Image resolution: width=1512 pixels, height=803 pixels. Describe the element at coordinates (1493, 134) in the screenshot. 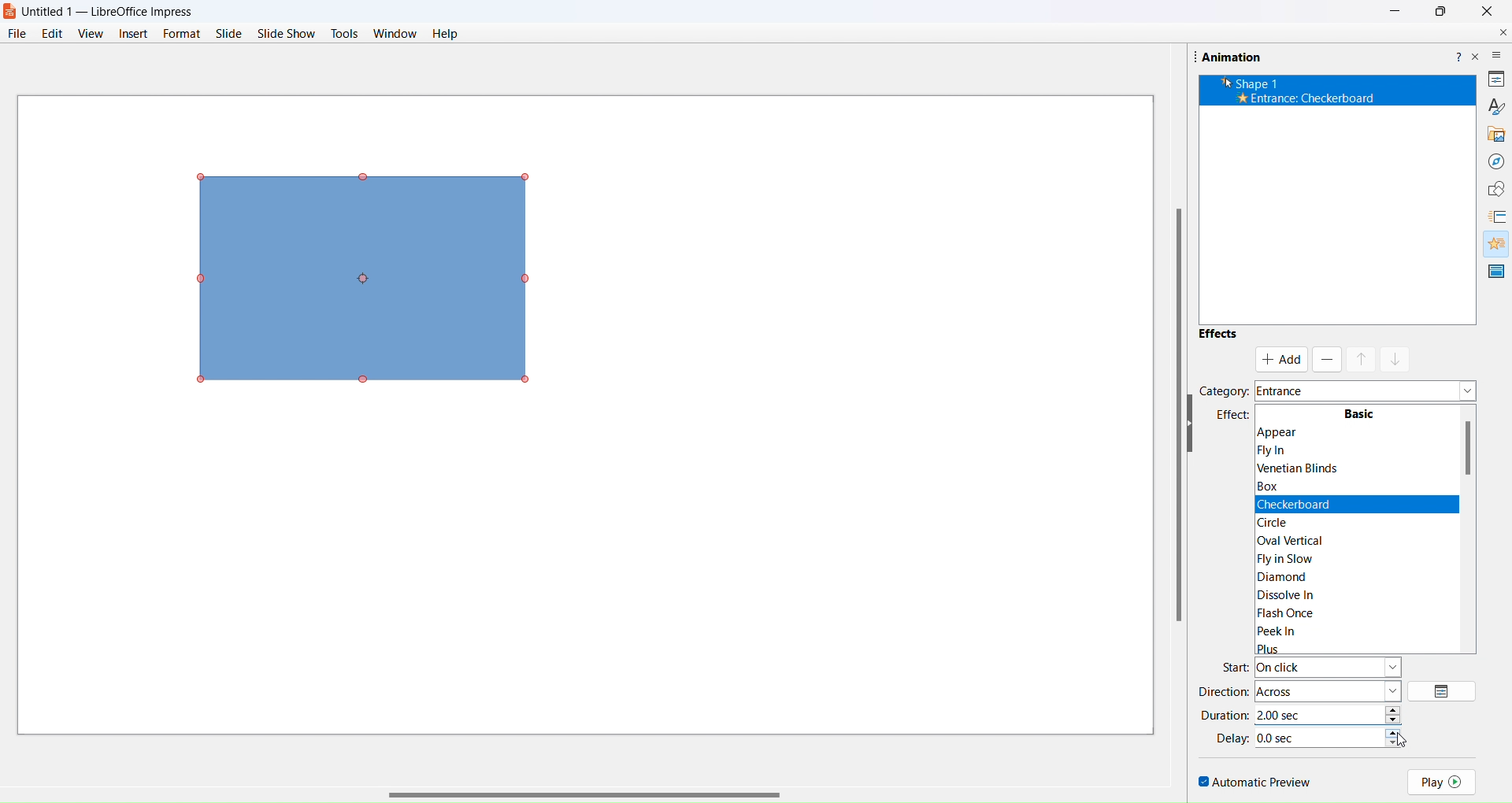

I see `gallery` at that location.